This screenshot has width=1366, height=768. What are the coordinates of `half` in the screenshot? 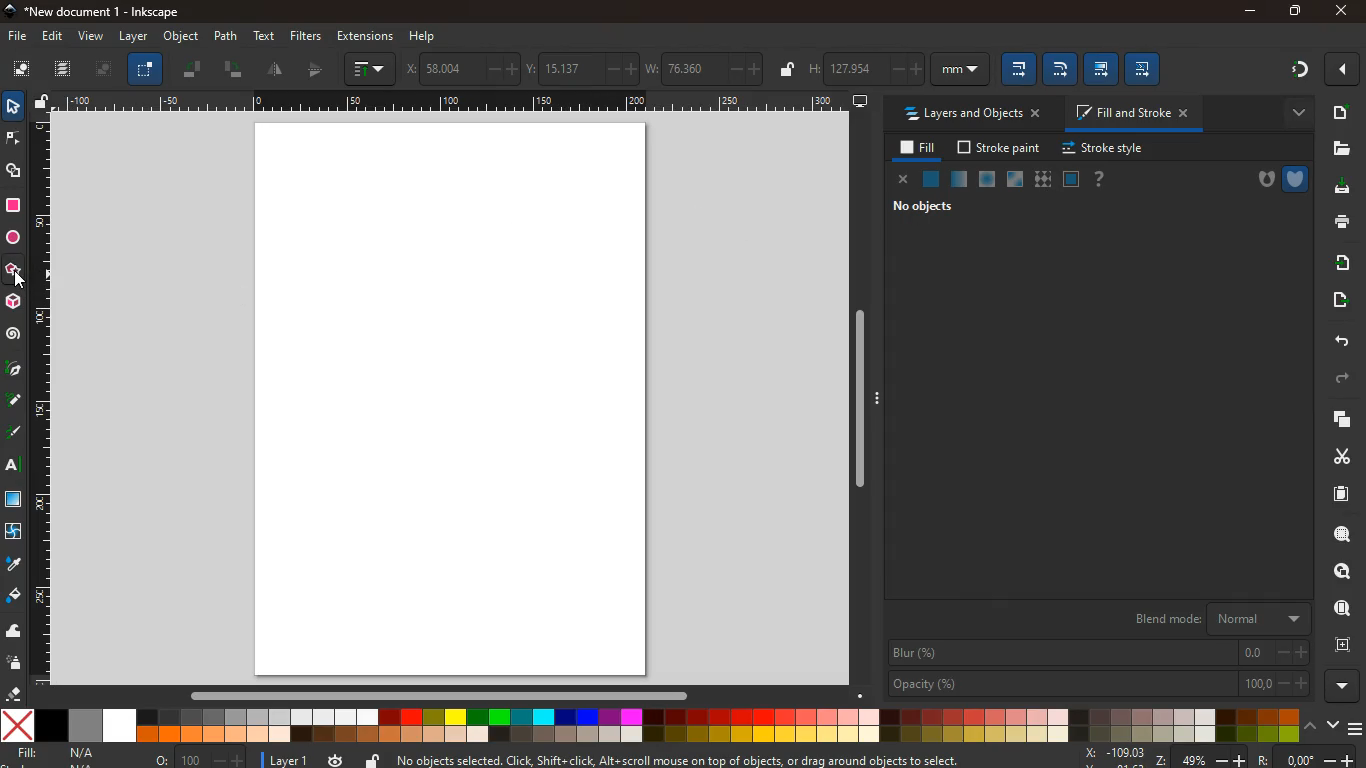 It's located at (317, 71).